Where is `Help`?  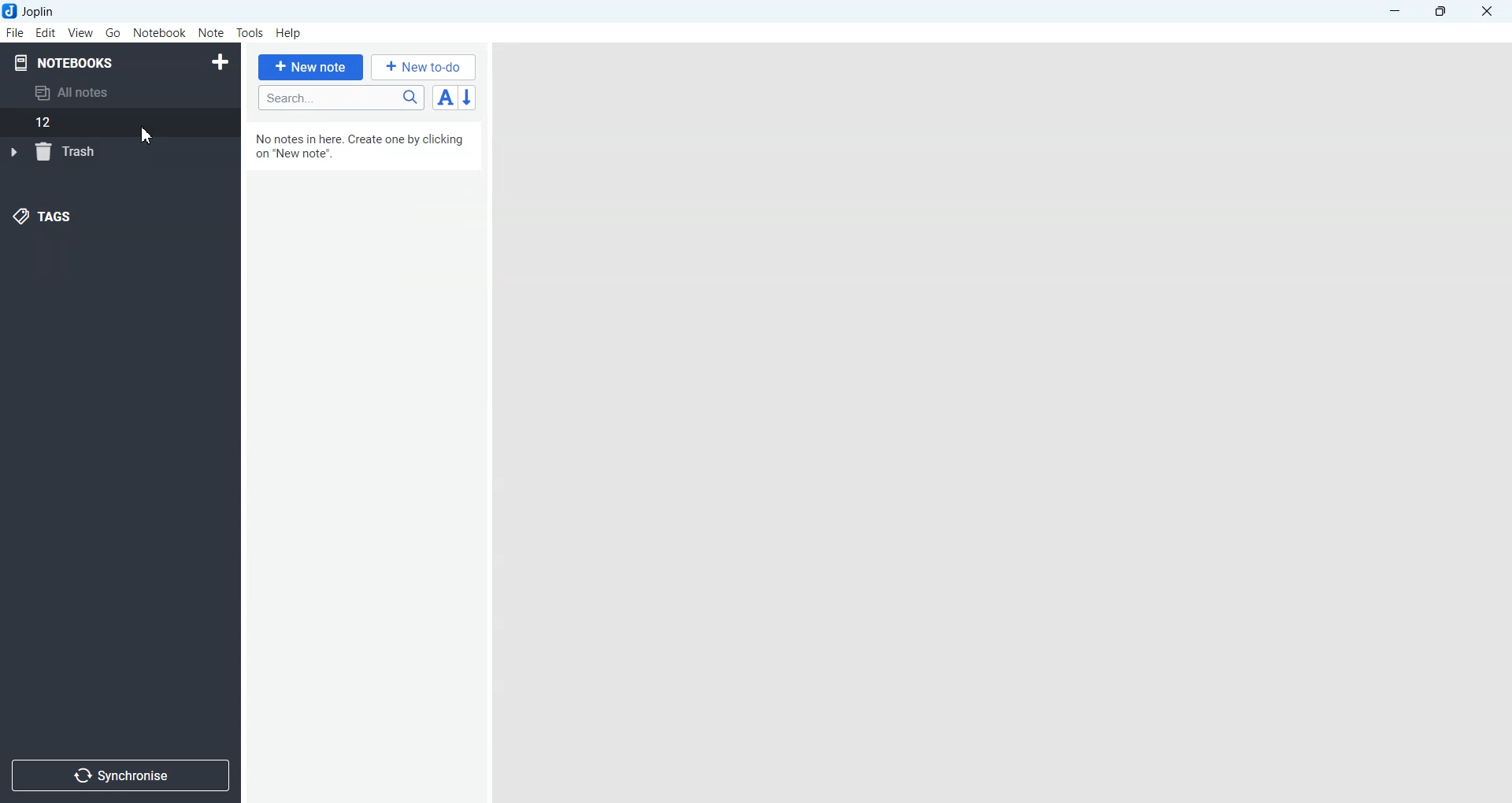
Help is located at coordinates (290, 34).